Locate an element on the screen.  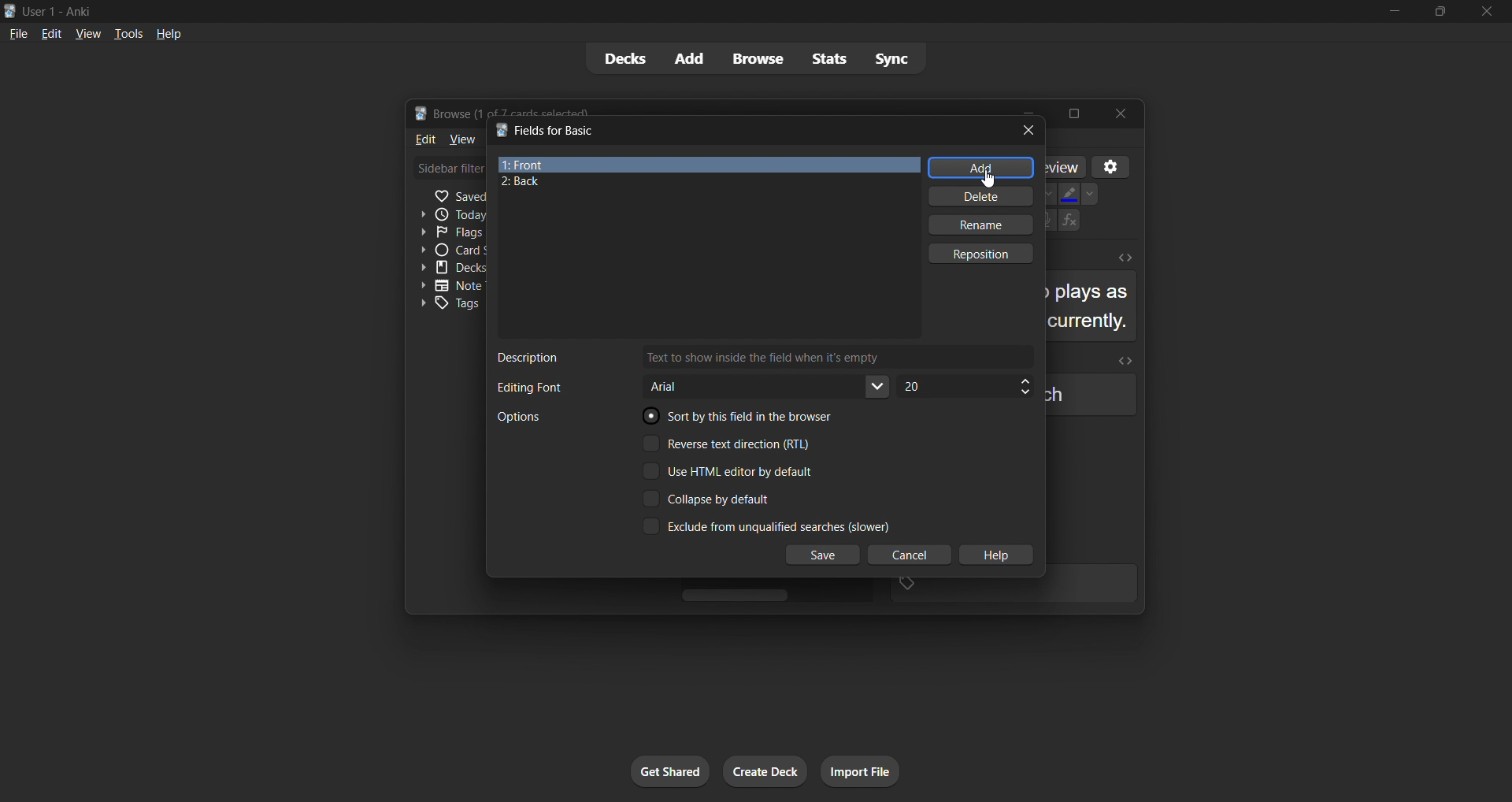
view is located at coordinates (86, 32).